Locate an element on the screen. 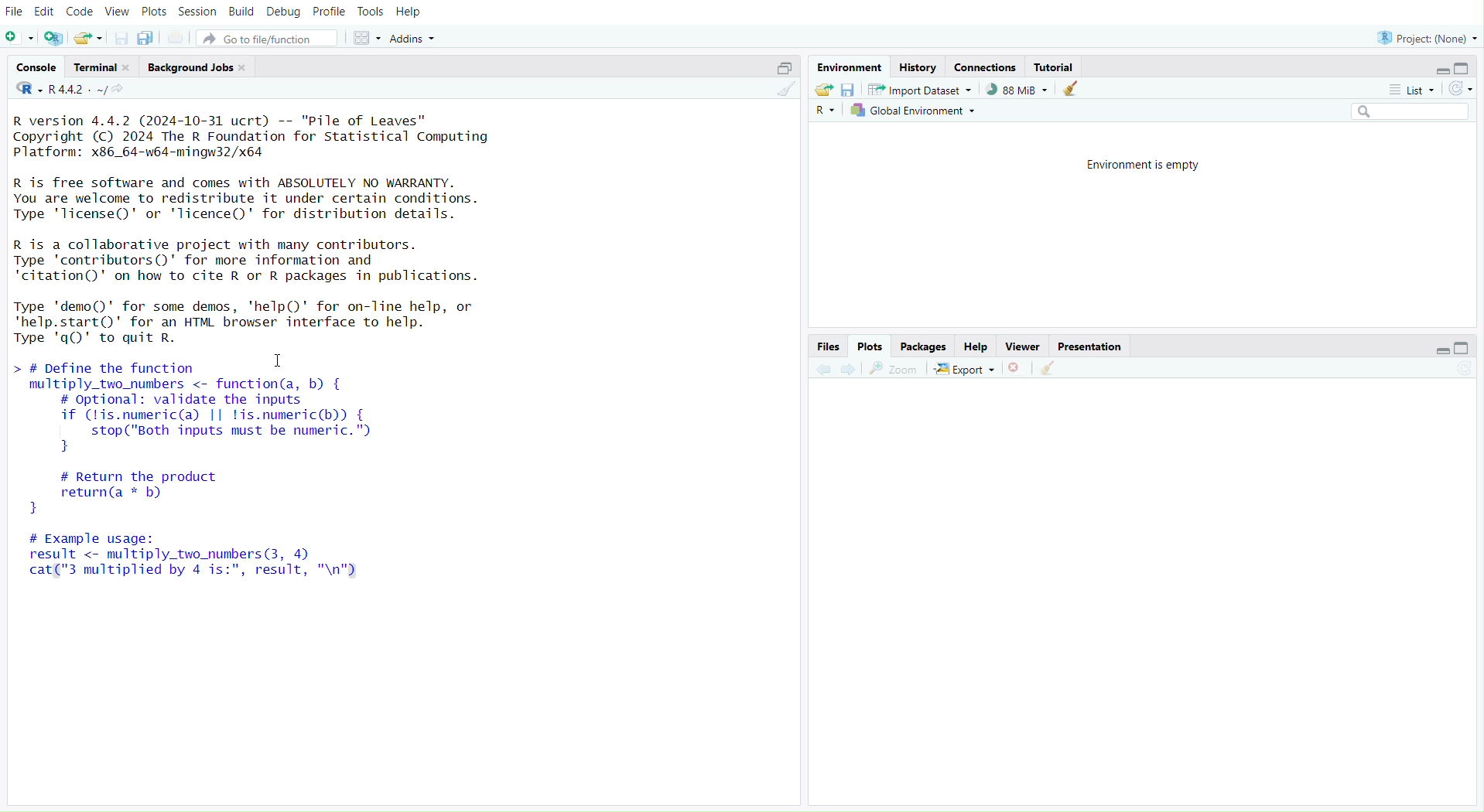  Background Jobs is located at coordinates (194, 67).